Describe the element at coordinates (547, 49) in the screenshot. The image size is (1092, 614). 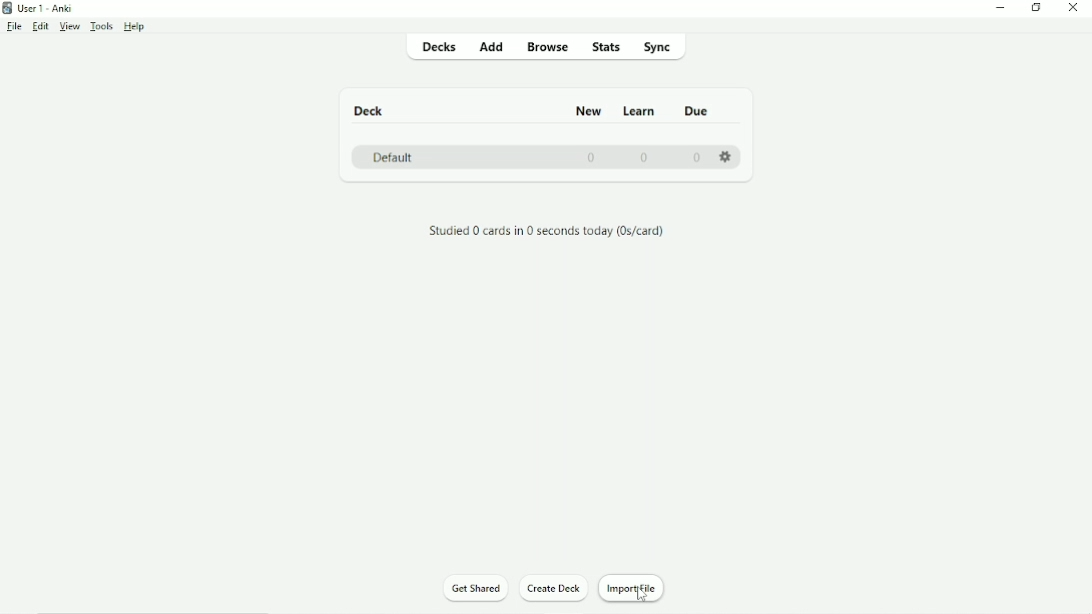
I see `Browse` at that location.